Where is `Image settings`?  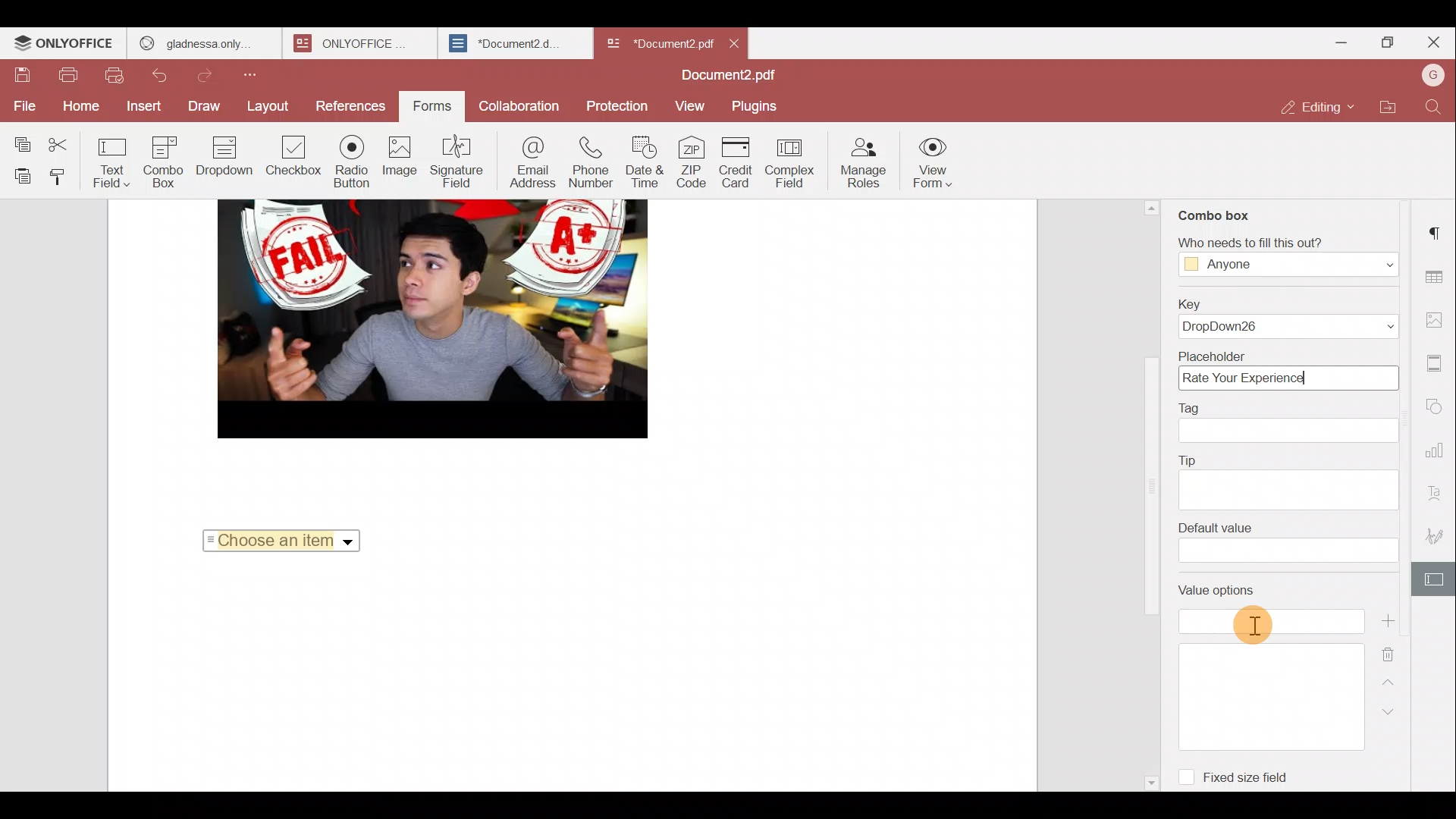 Image settings is located at coordinates (1437, 321).